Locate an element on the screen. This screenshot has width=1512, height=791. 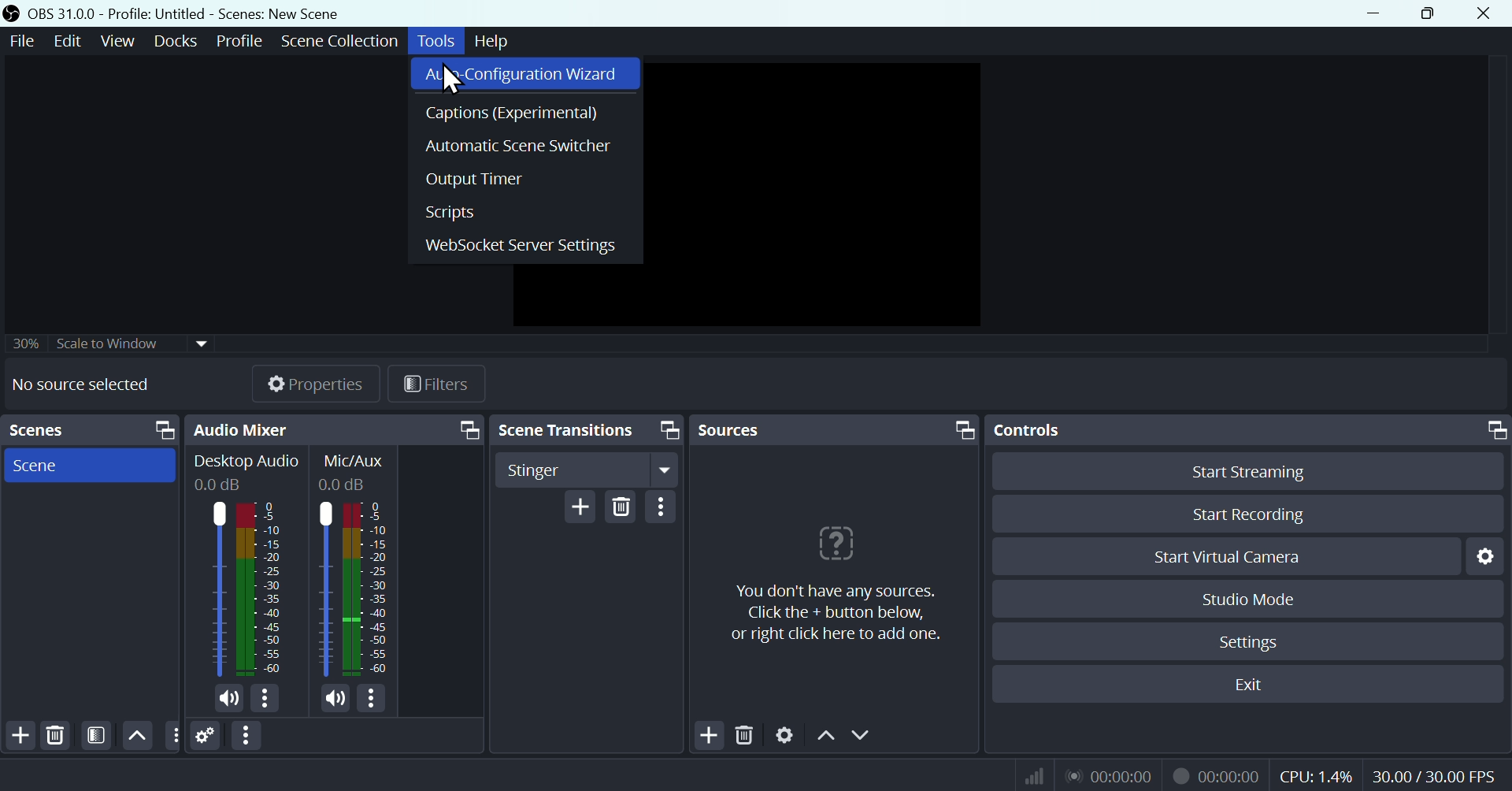
Stinger is located at coordinates (590, 469).